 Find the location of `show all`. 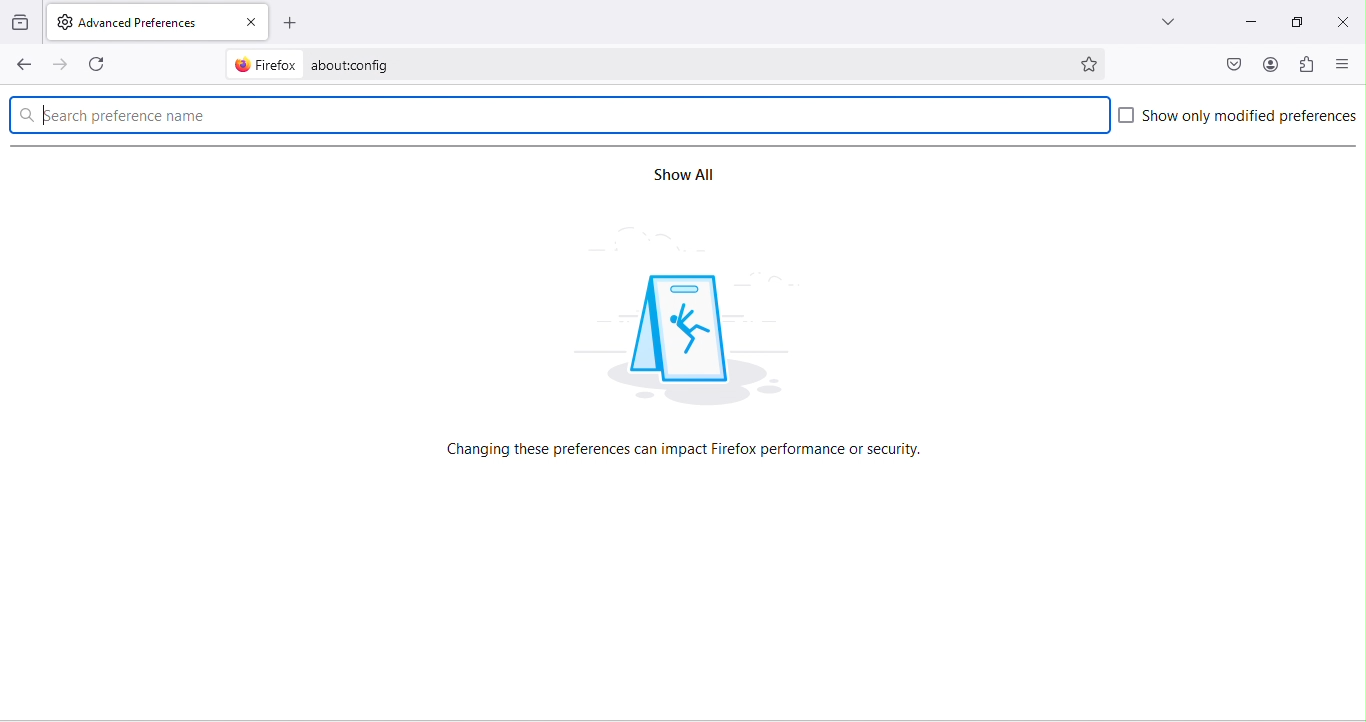

show all is located at coordinates (679, 176).